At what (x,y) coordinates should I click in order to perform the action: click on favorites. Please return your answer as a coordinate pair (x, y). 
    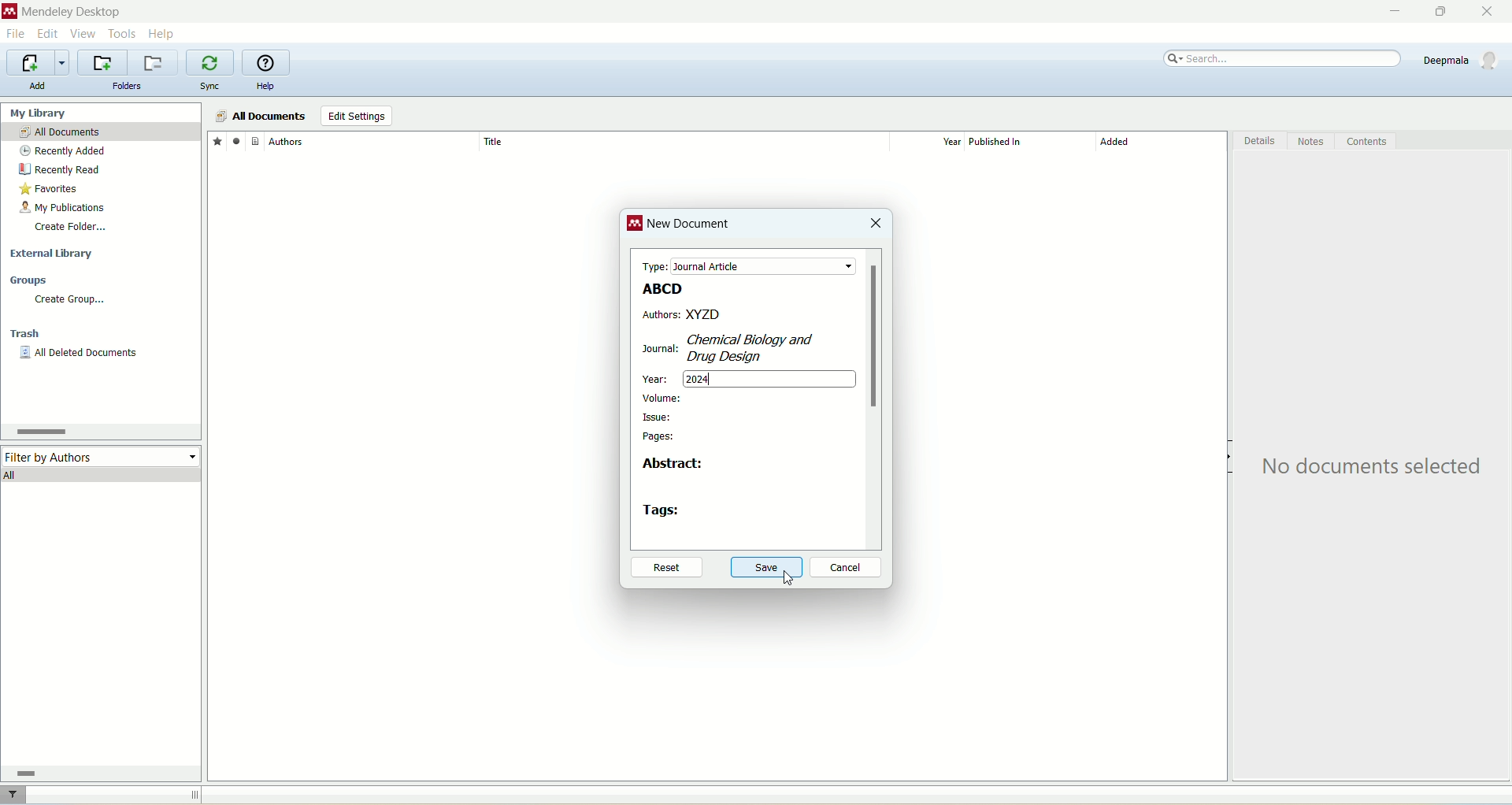
    Looking at the image, I should click on (217, 140).